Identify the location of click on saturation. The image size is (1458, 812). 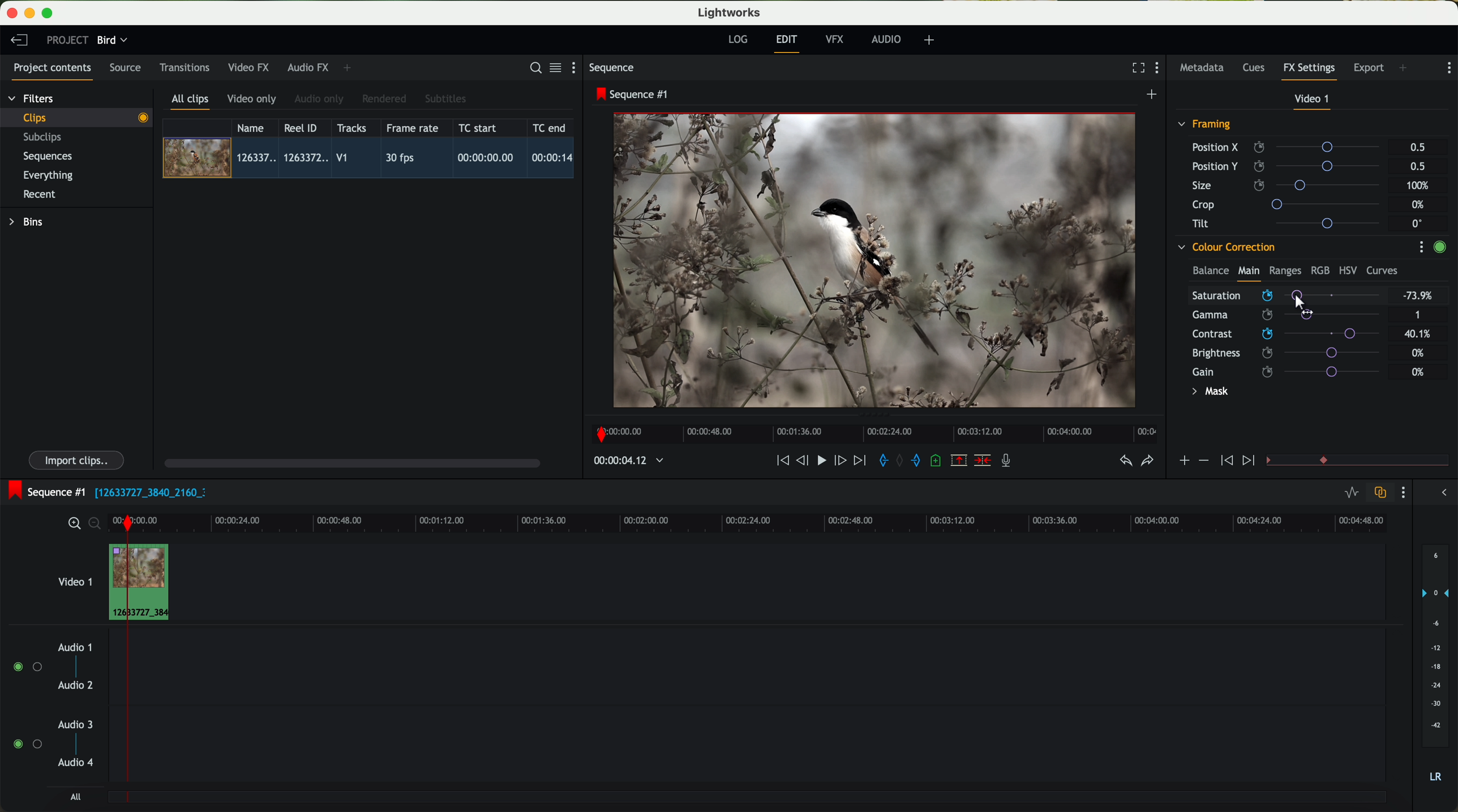
(1280, 315).